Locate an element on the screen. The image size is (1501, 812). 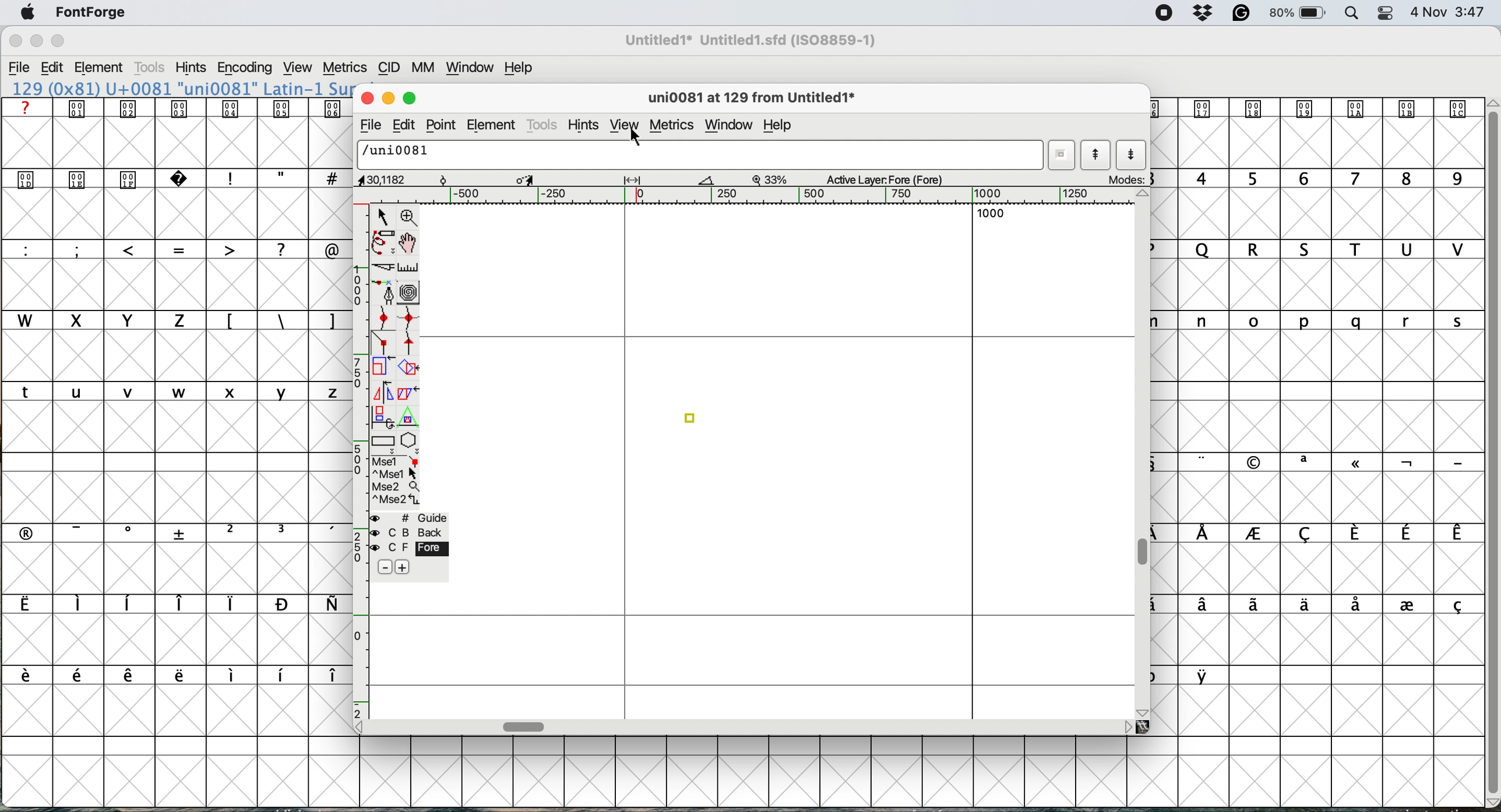
cursor is located at coordinates (635, 137).